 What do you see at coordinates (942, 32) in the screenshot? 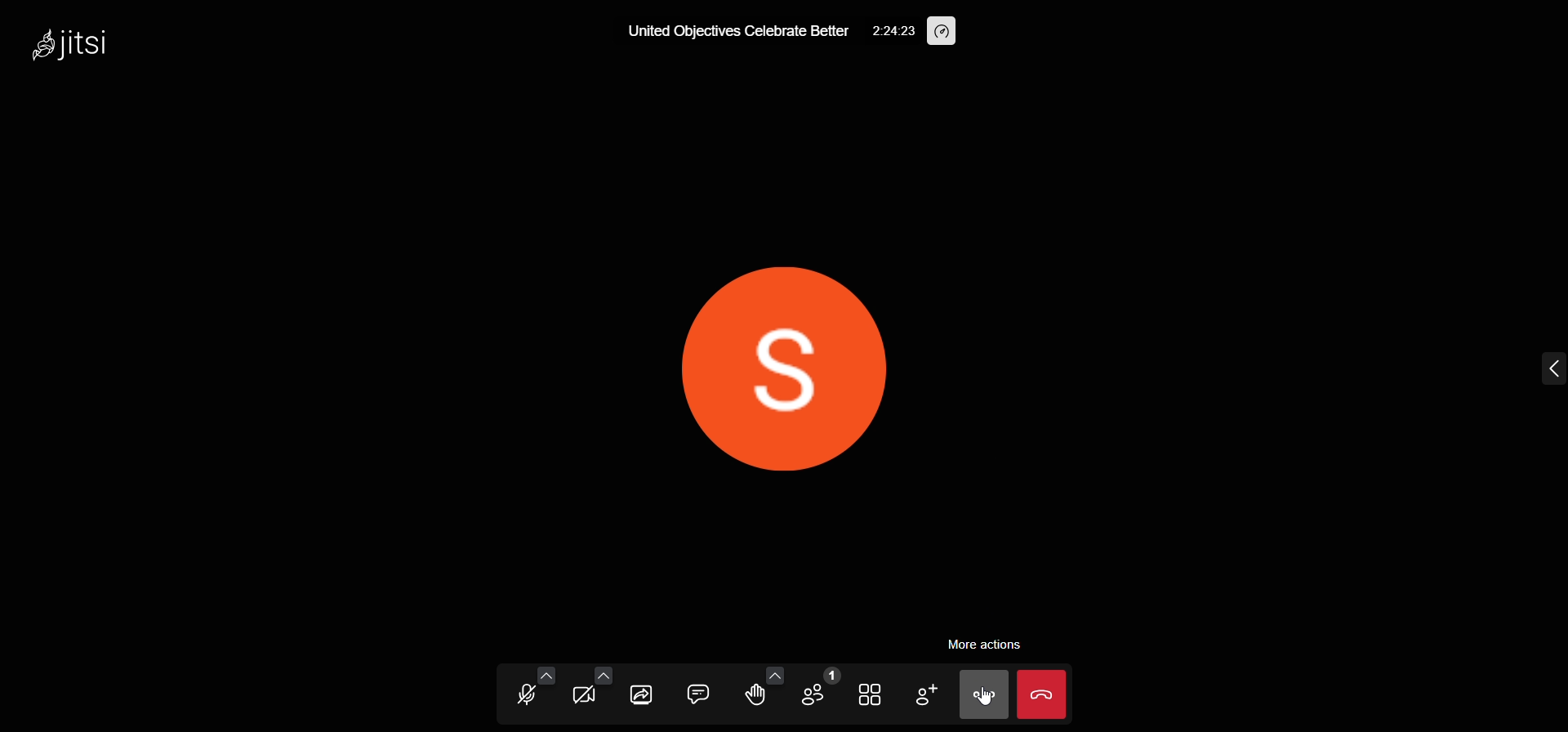
I see `performance setting` at bounding box center [942, 32].